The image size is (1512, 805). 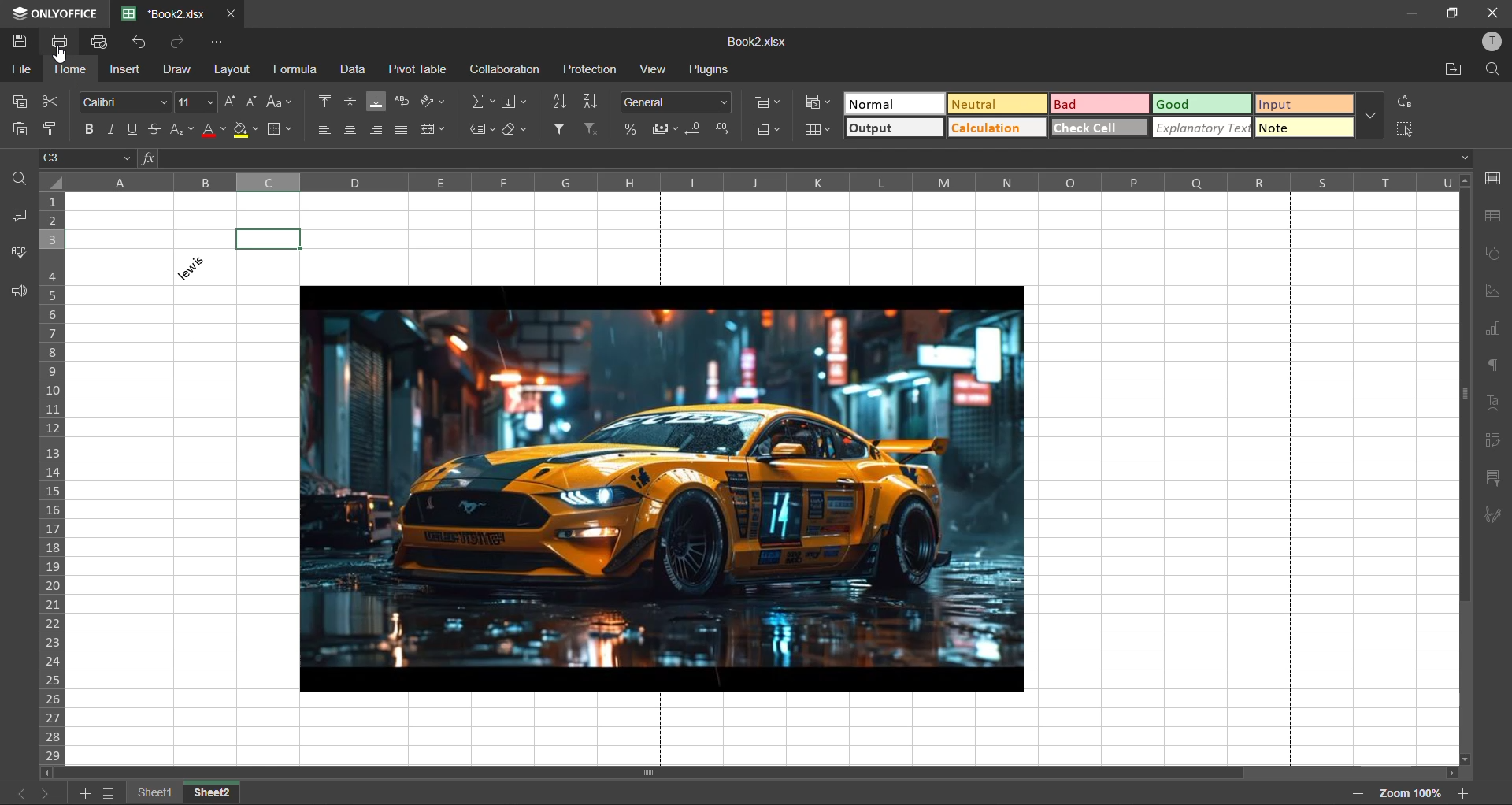 I want to click on sub/superscript, so click(x=178, y=128).